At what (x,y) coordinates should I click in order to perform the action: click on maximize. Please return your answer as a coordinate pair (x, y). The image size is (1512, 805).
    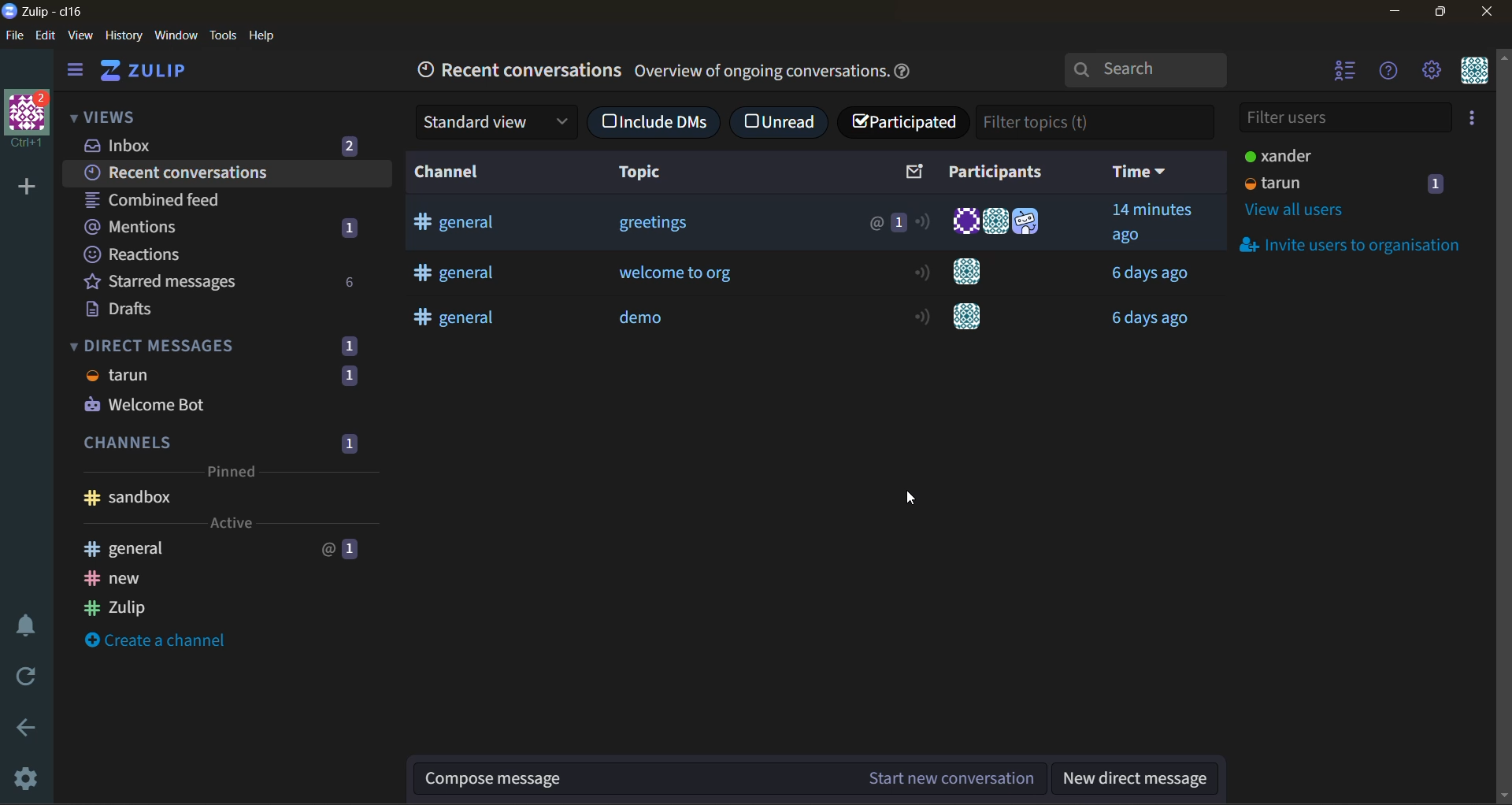
    Looking at the image, I should click on (1446, 13).